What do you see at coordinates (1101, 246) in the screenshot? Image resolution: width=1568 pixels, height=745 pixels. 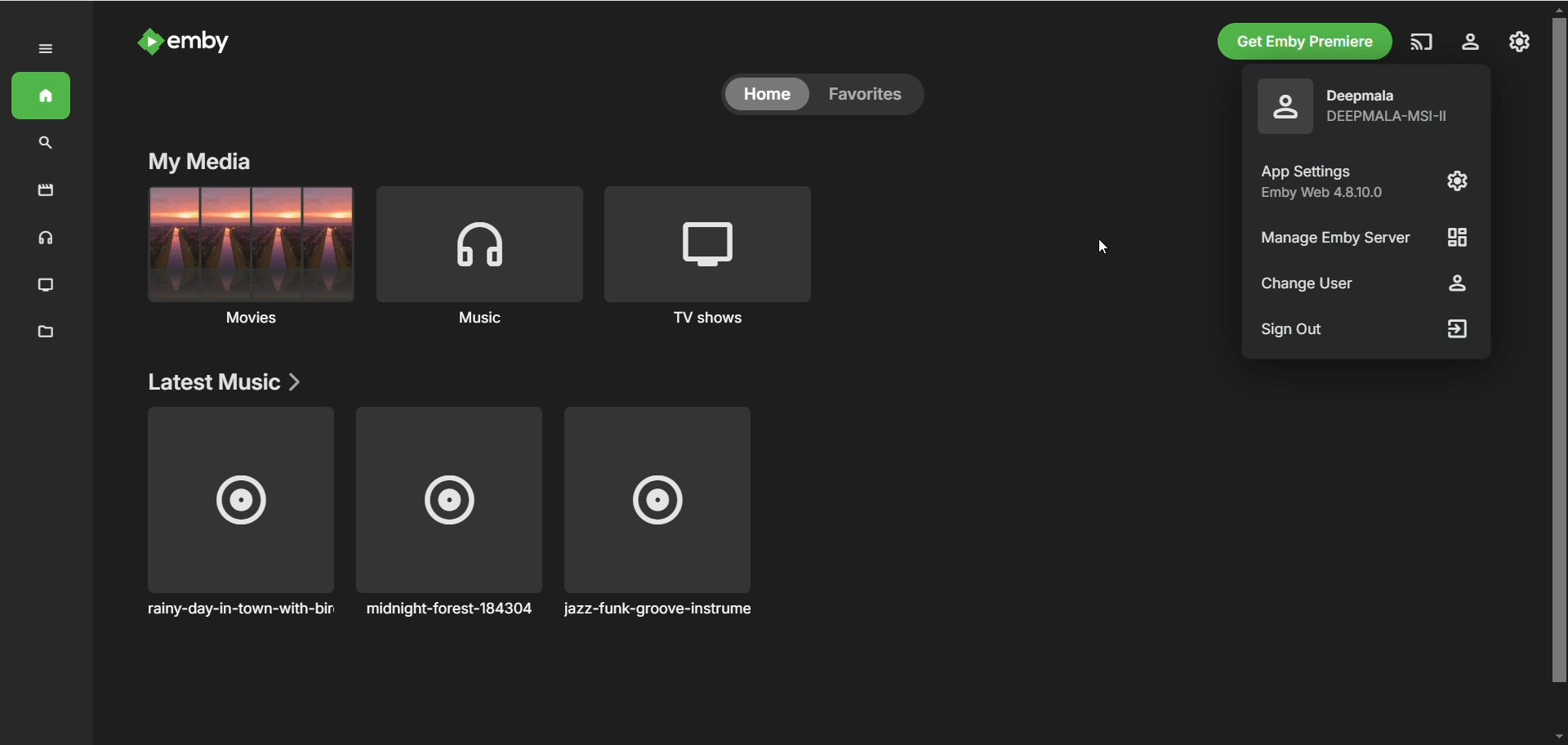 I see `cursor` at bounding box center [1101, 246].